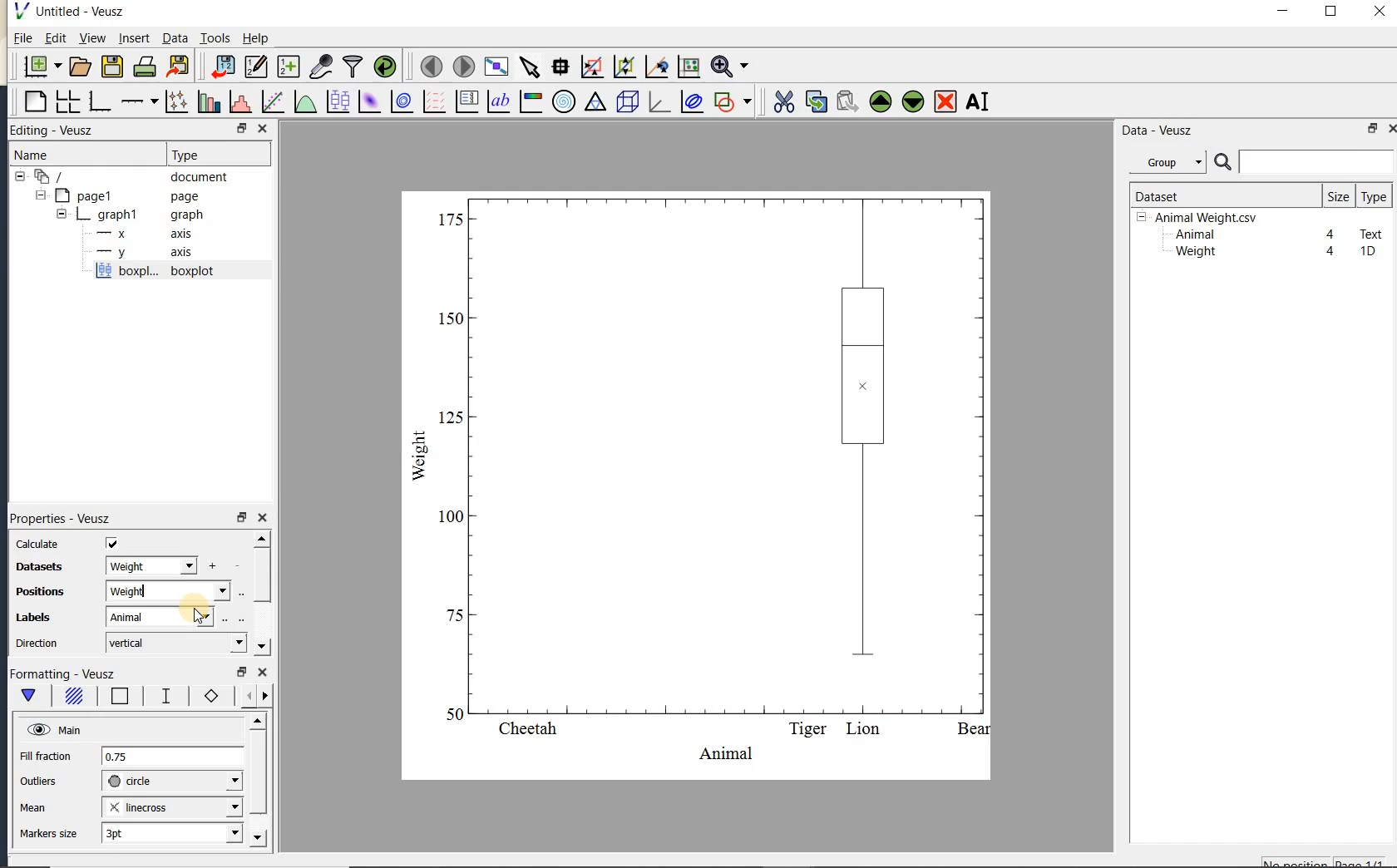  I want to click on markers border, so click(208, 696).